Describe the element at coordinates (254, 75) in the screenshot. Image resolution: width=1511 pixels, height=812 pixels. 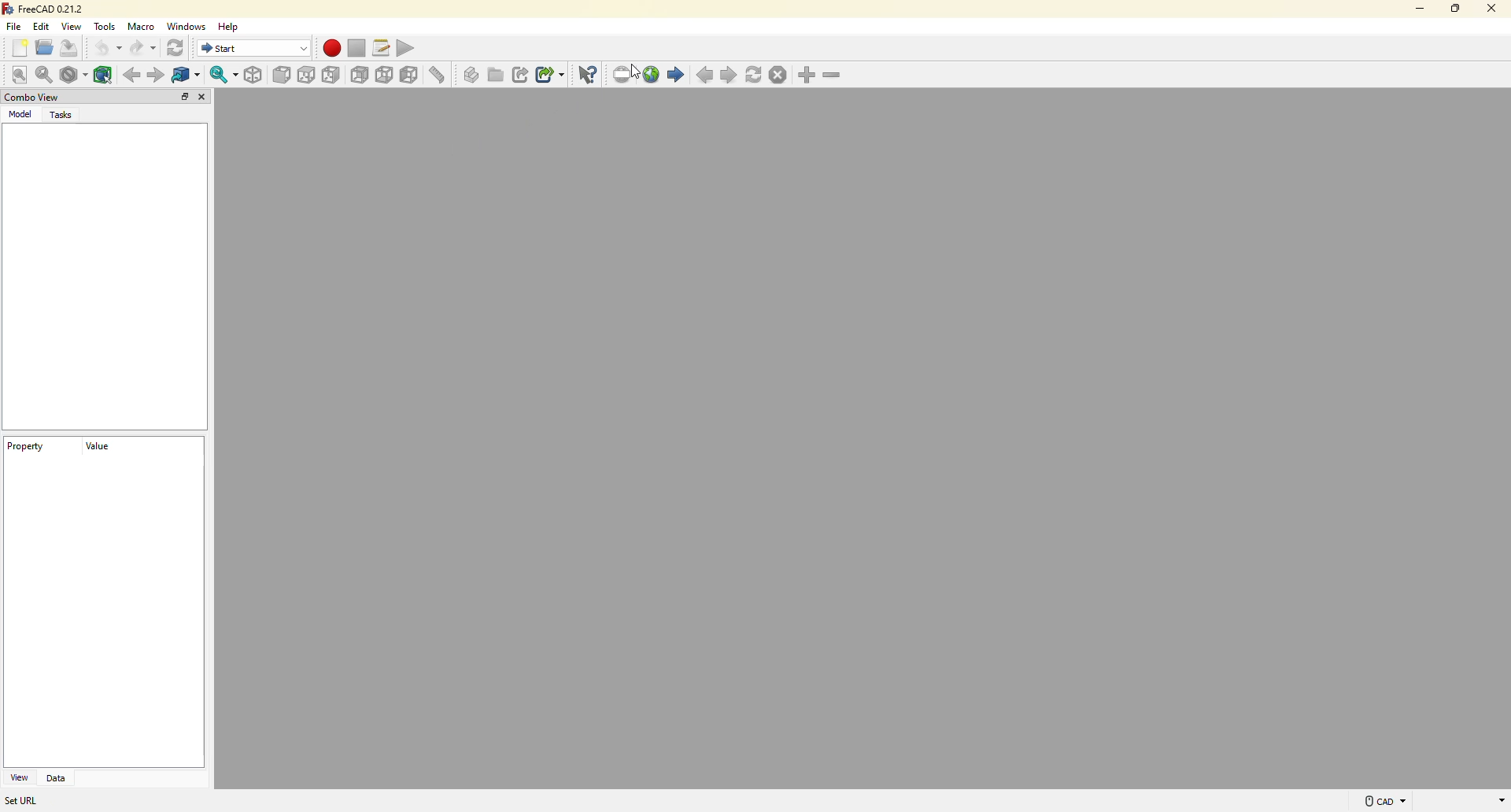
I see `isometric` at that location.